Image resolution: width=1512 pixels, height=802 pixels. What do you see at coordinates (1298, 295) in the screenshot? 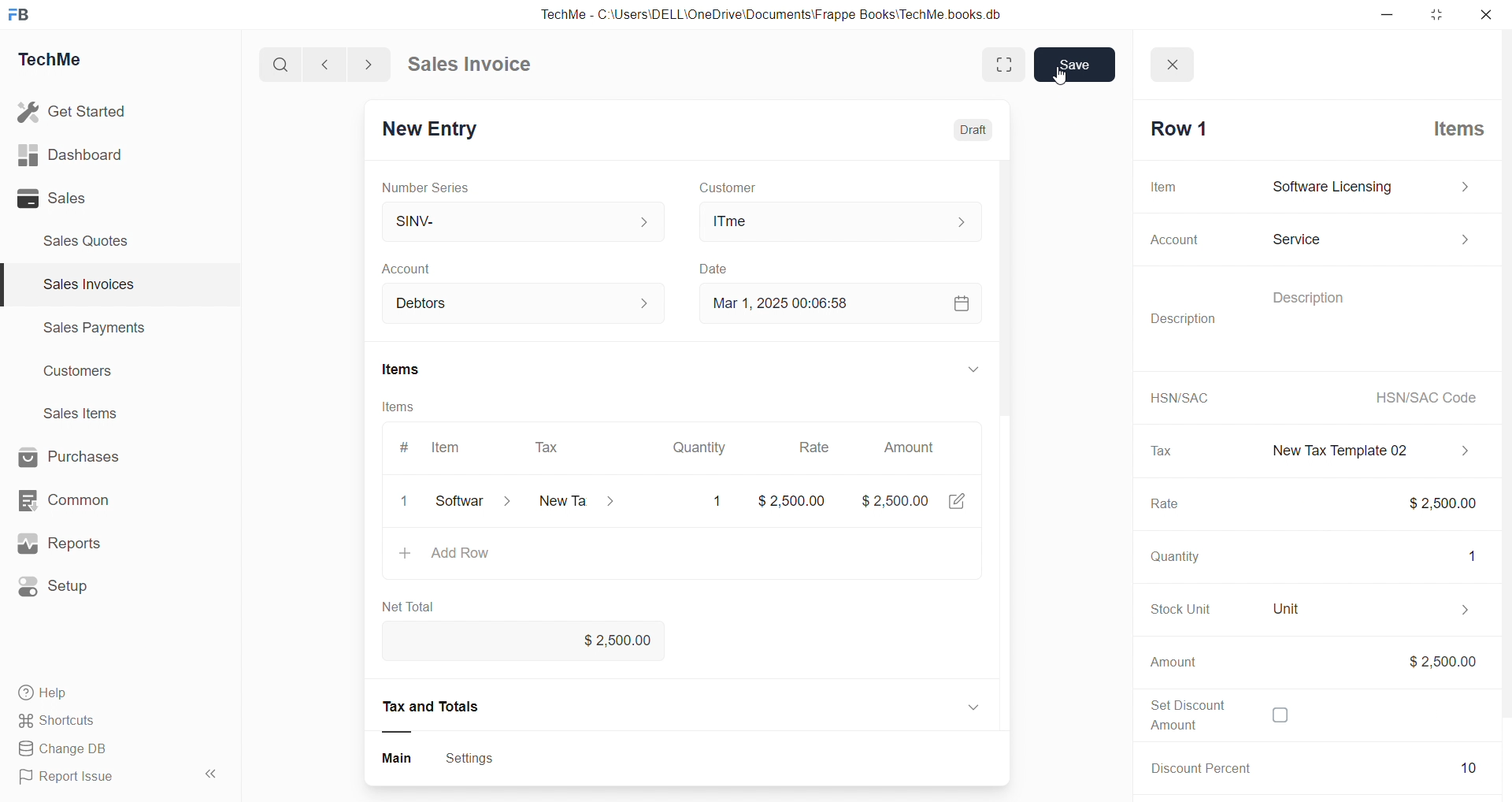
I see `Description` at bounding box center [1298, 295].